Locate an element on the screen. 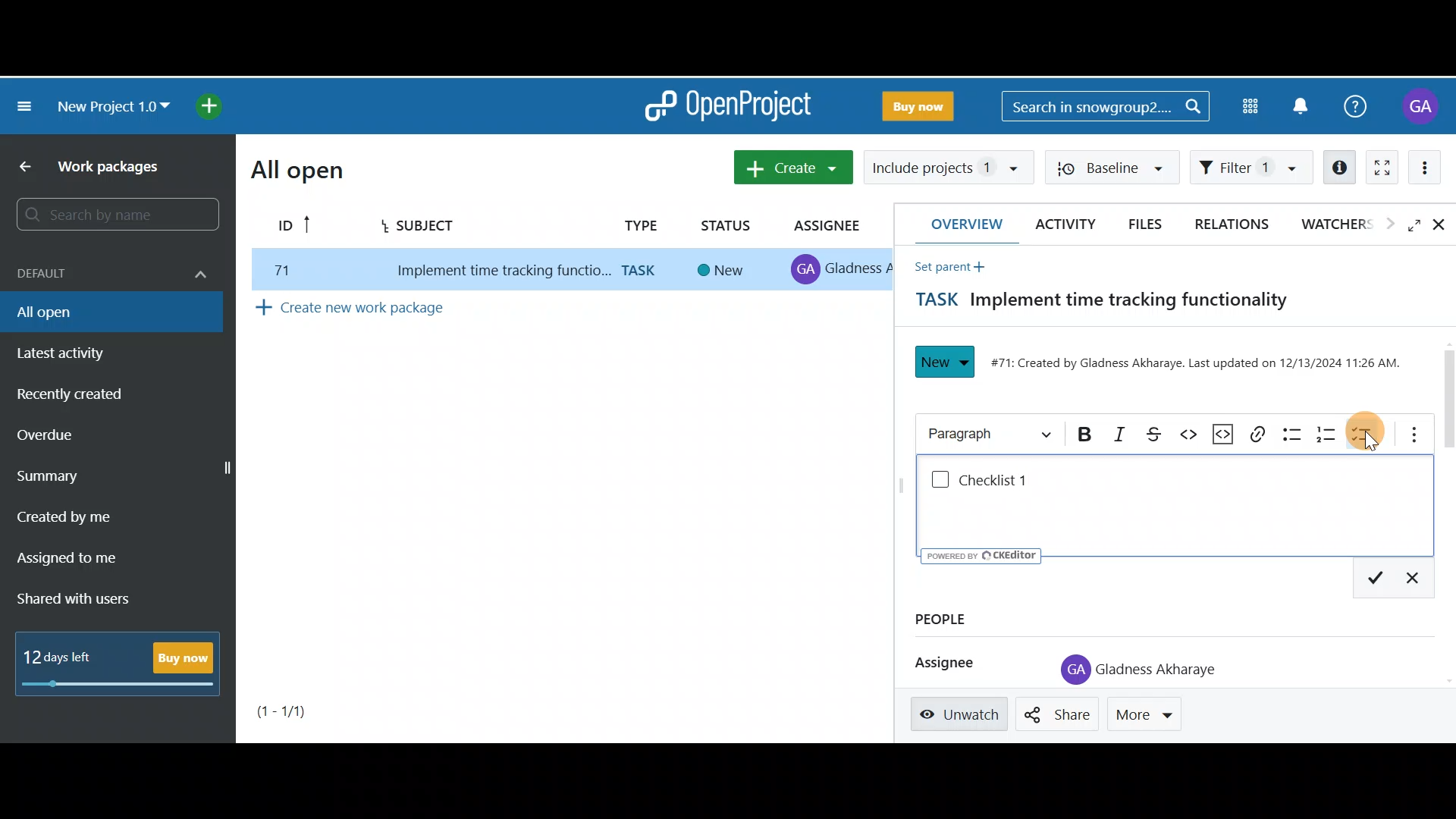  task is located at coordinates (643, 271).